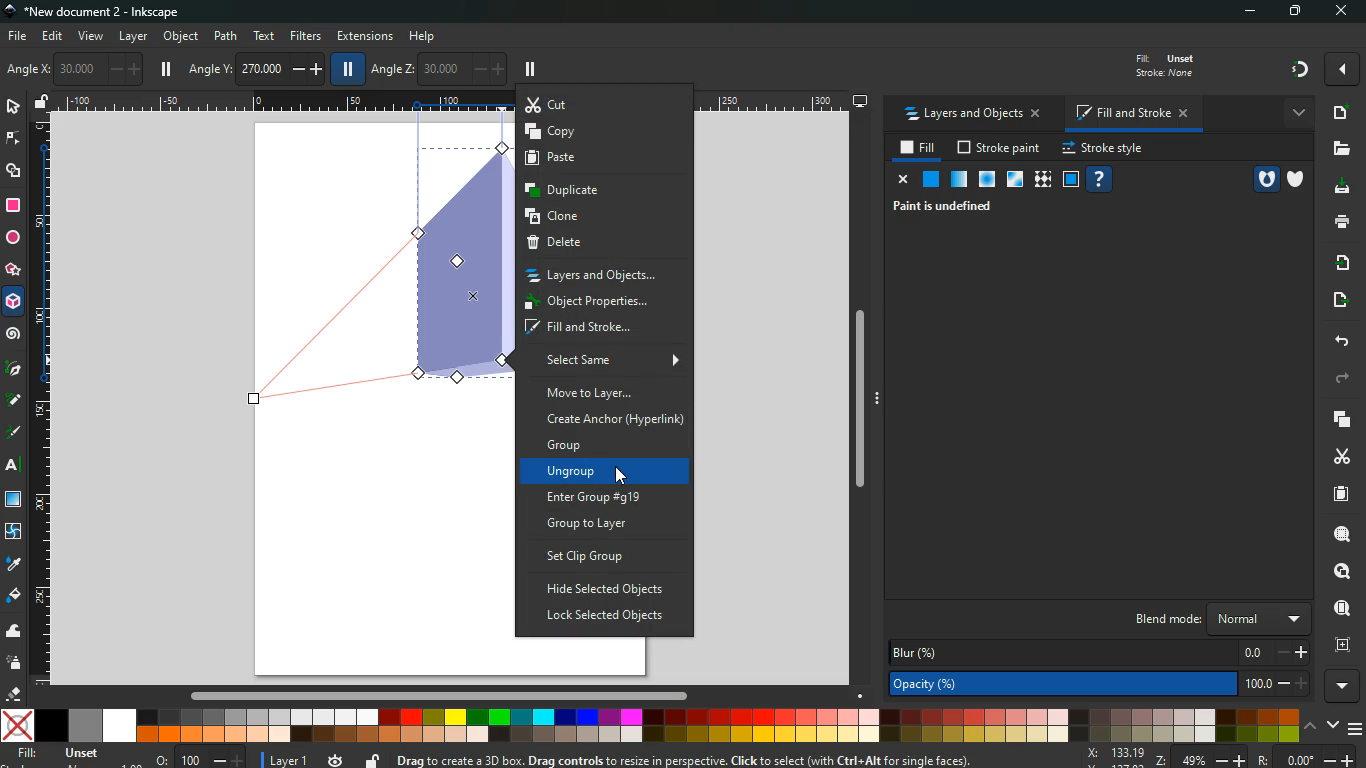 The image size is (1366, 768). I want to click on fill, so click(919, 148).